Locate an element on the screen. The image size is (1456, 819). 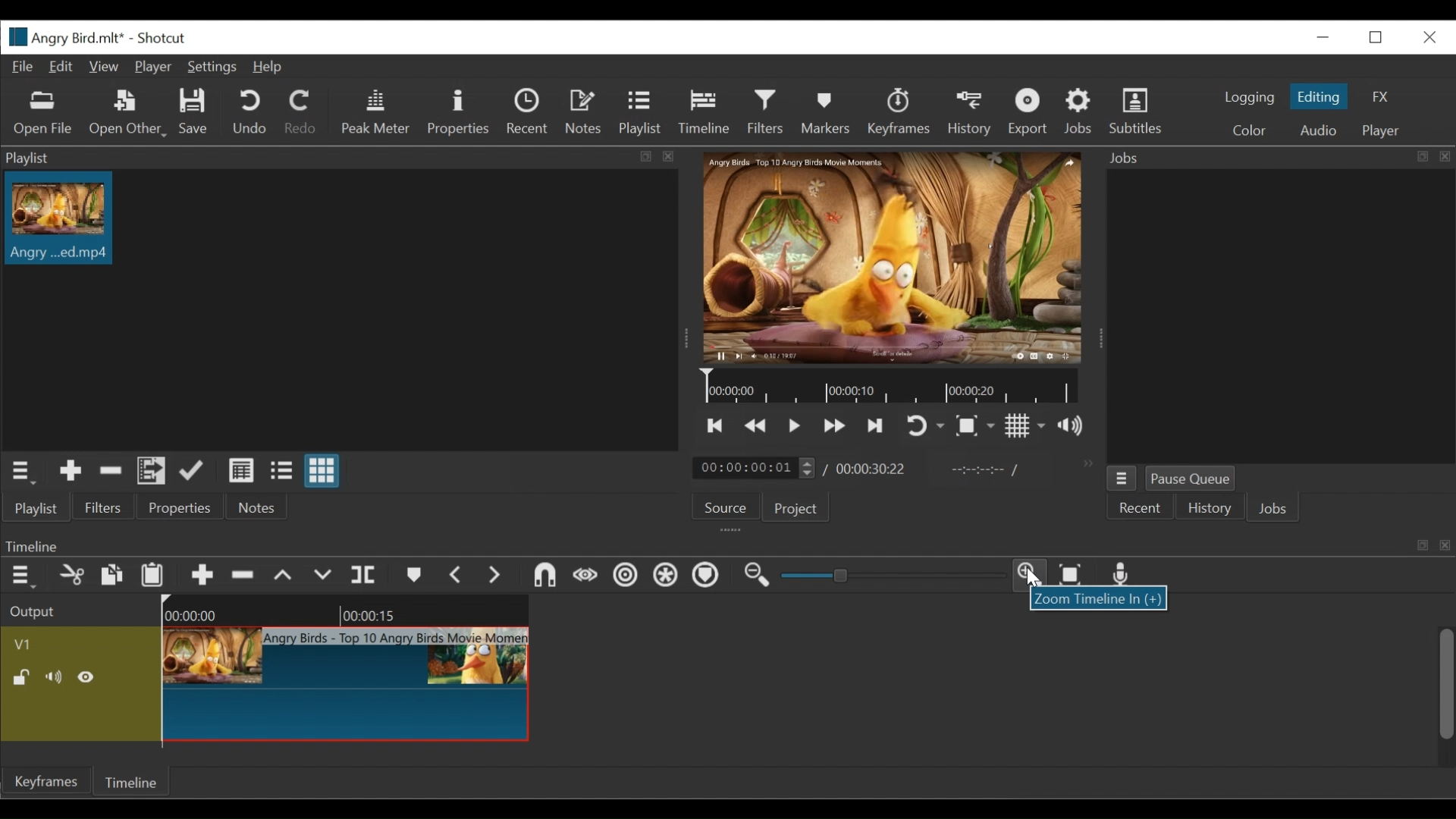
Timeline is located at coordinates (129, 781).